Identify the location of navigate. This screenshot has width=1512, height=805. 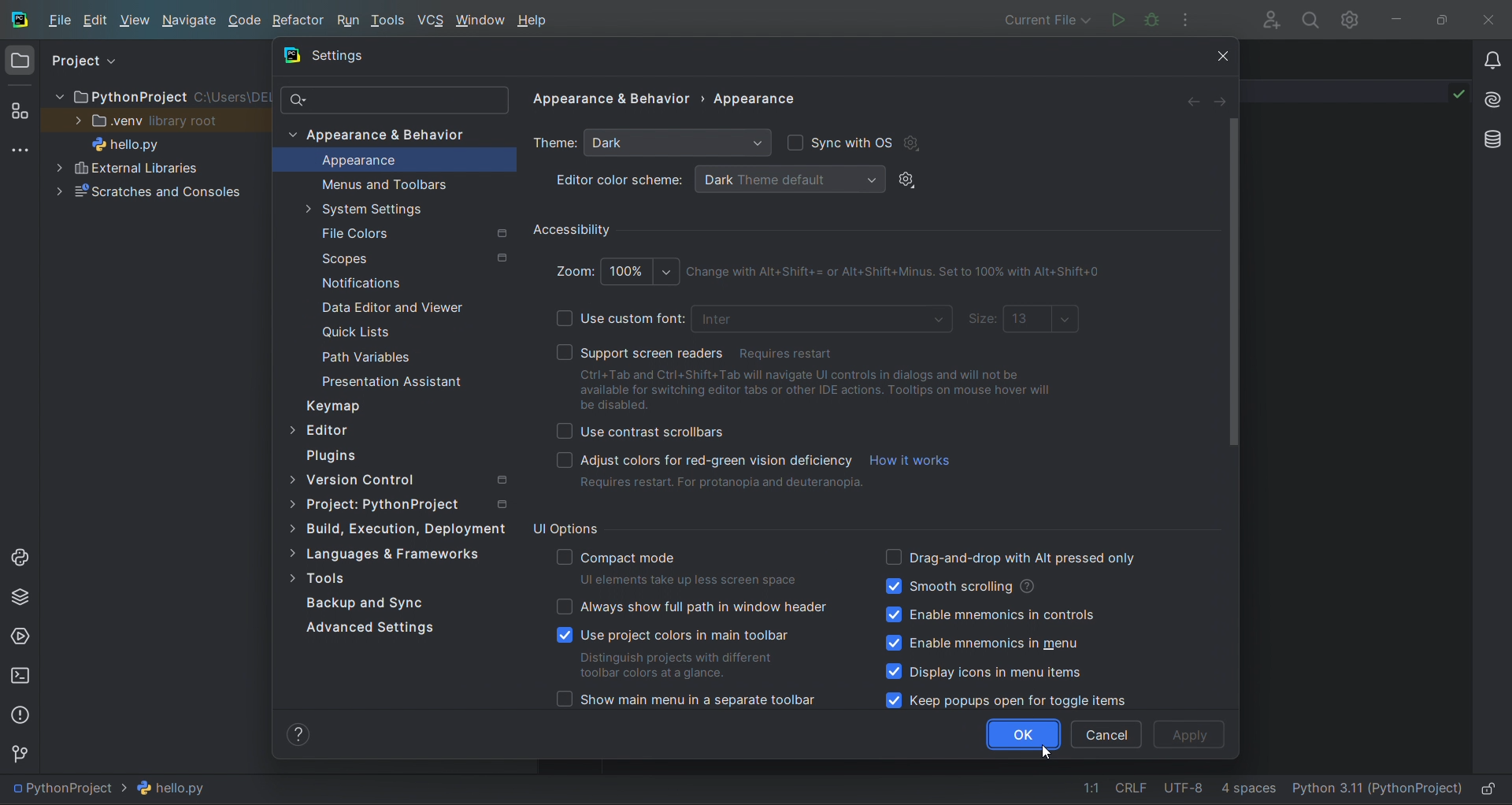
(185, 20).